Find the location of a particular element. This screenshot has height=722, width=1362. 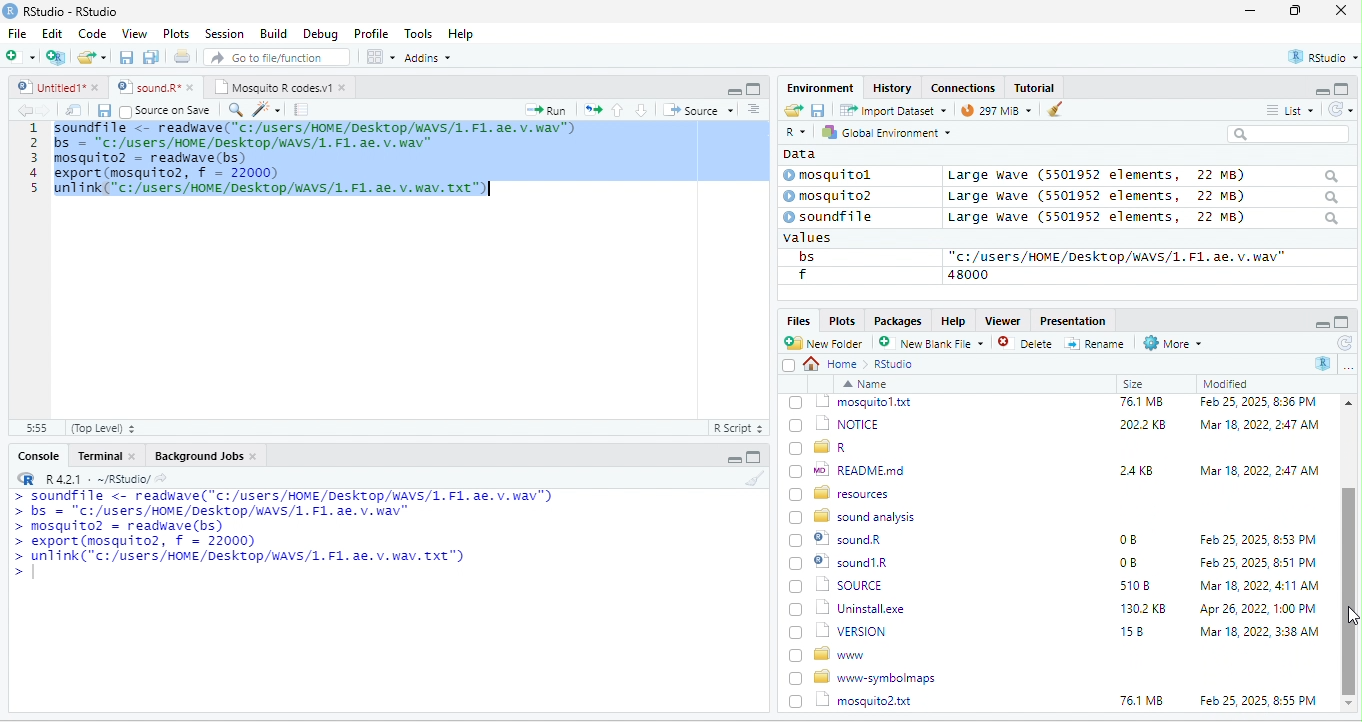

clases is located at coordinates (965, 86).